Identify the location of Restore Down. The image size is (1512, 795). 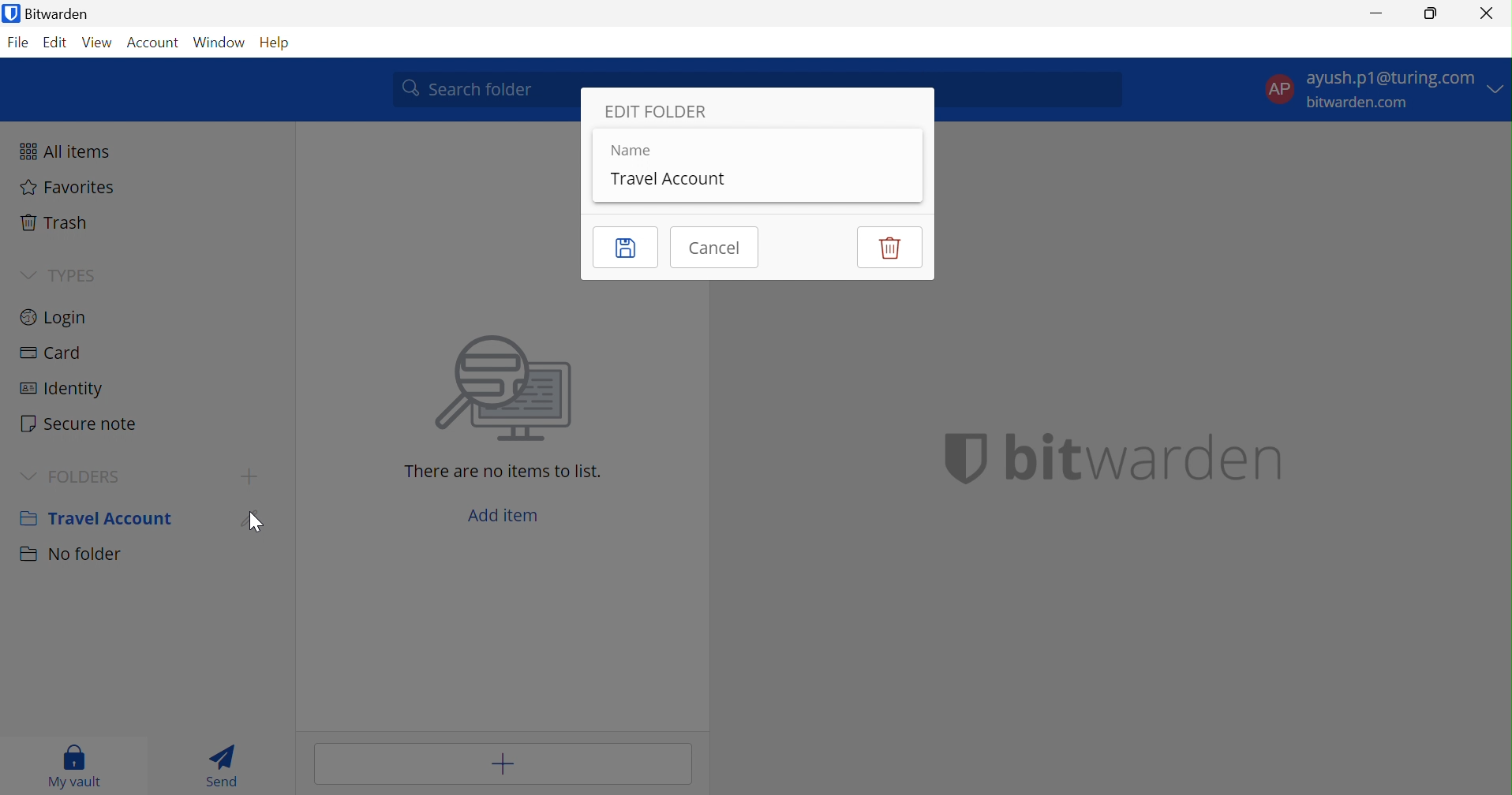
(1430, 17).